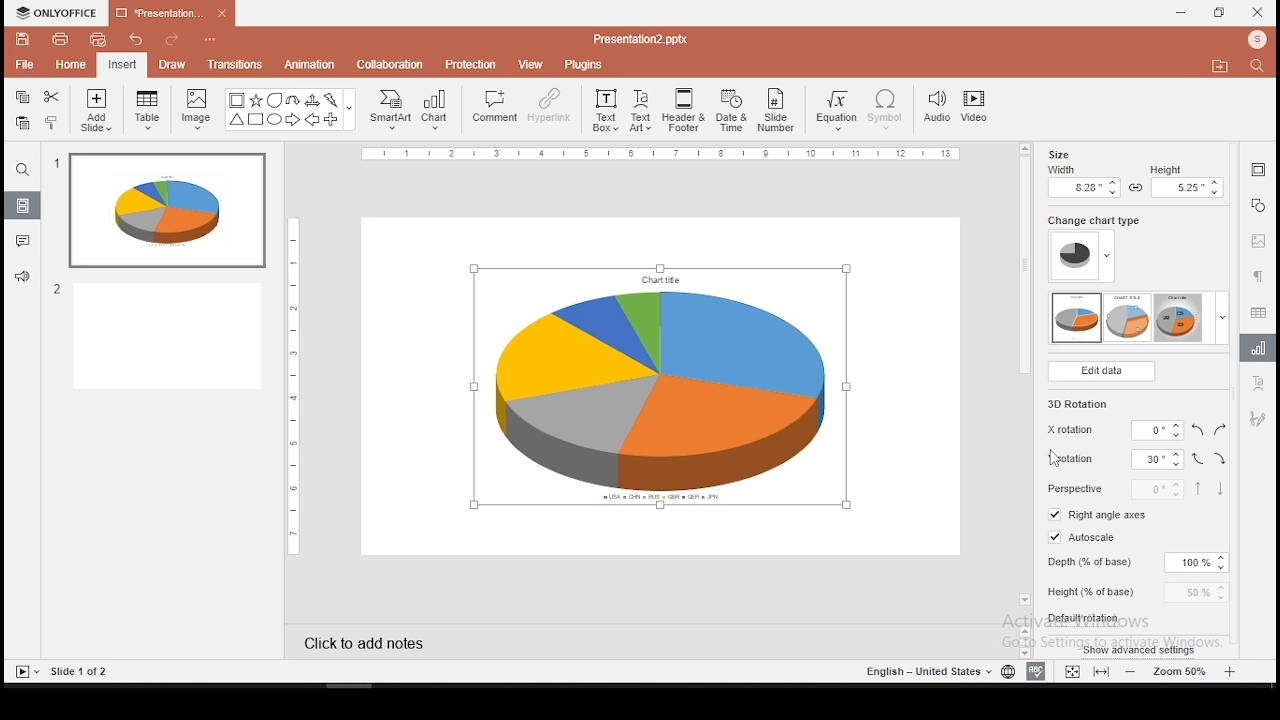 Image resolution: width=1280 pixels, height=720 pixels. Describe the element at coordinates (52, 124) in the screenshot. I see `clone formatting` at that location.